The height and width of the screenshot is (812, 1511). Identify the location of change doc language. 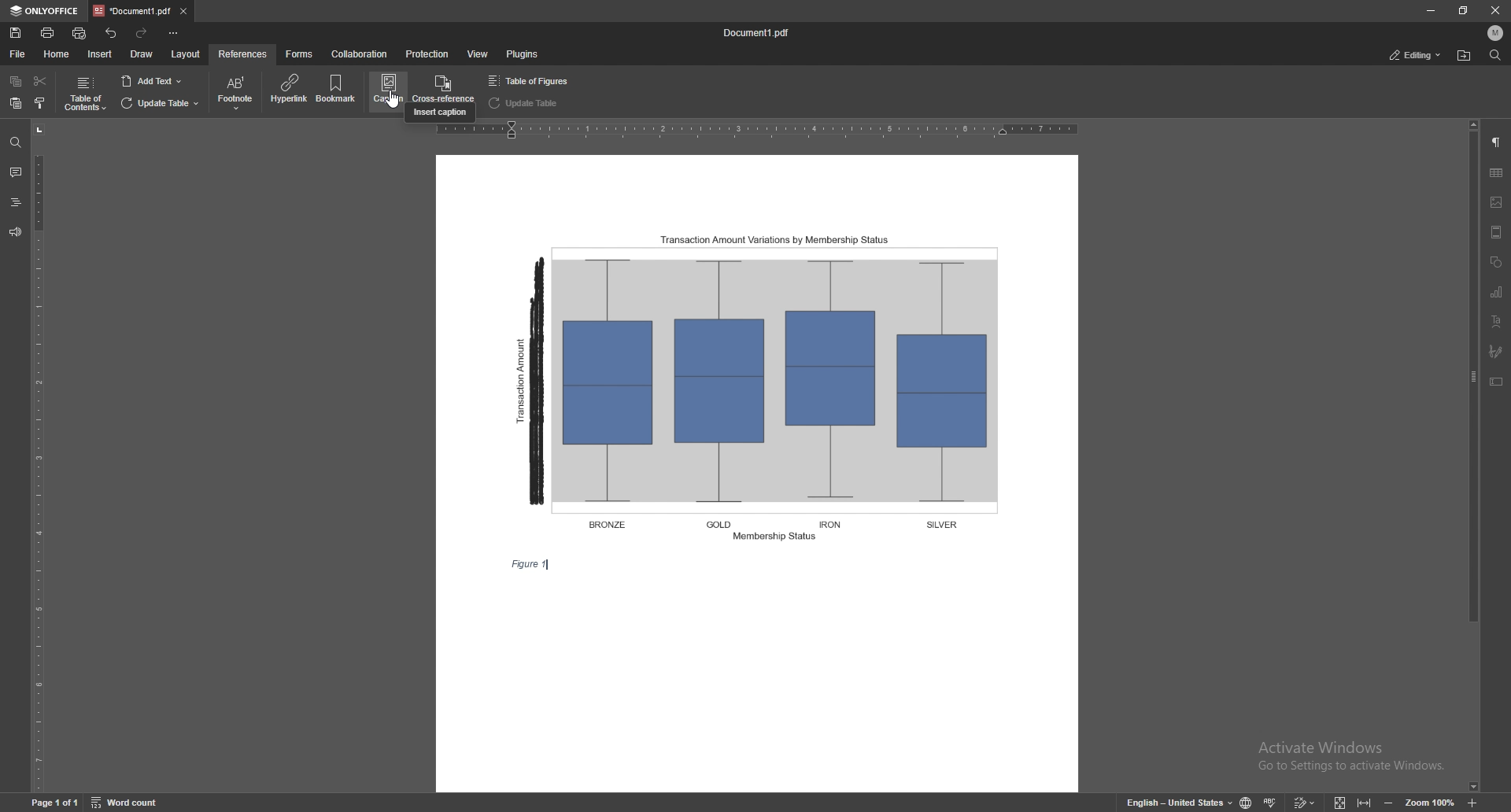
(1248, 802).